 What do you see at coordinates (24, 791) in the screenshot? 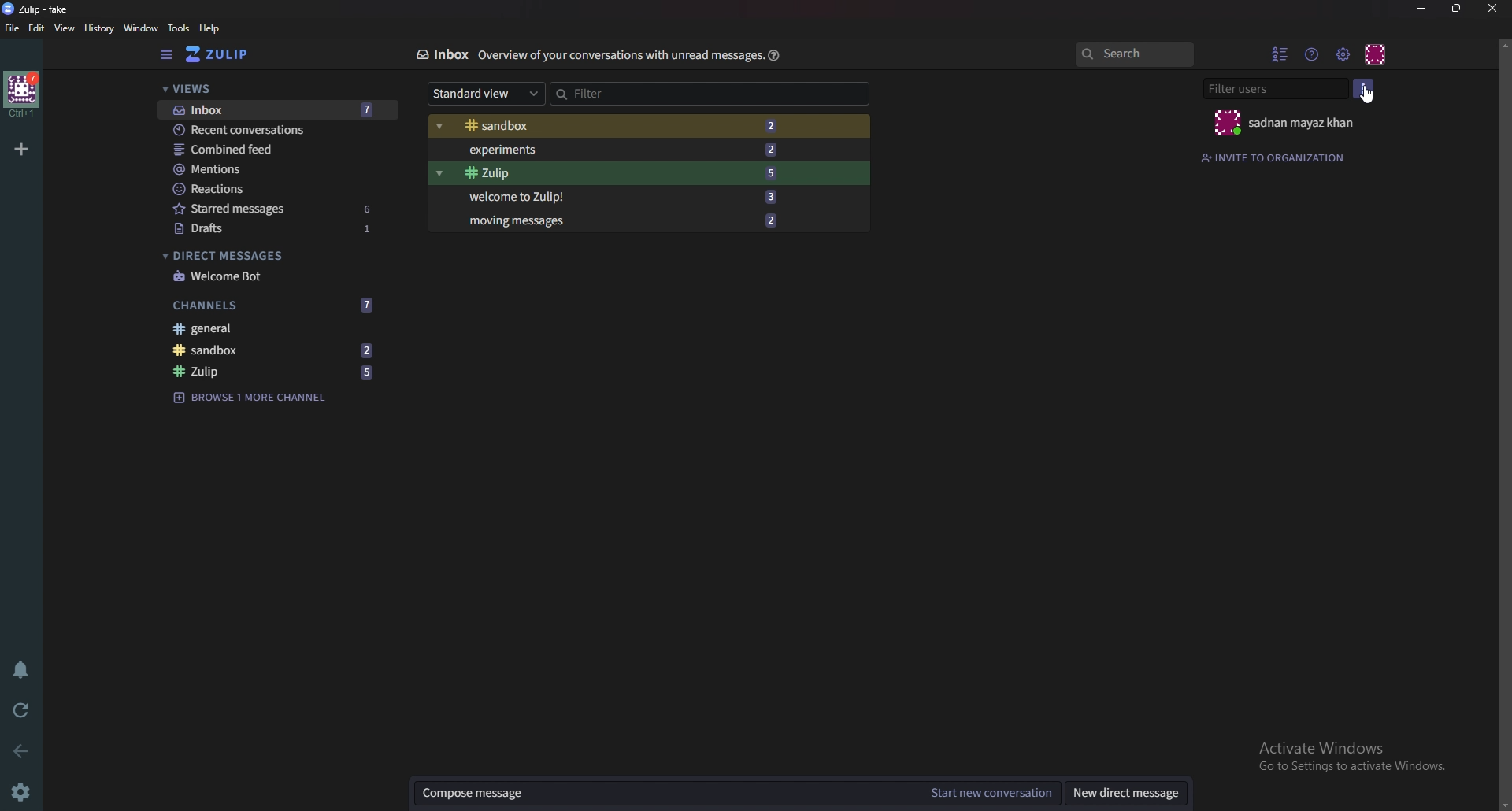
I see `Settings` at bounding box center [24, 791].